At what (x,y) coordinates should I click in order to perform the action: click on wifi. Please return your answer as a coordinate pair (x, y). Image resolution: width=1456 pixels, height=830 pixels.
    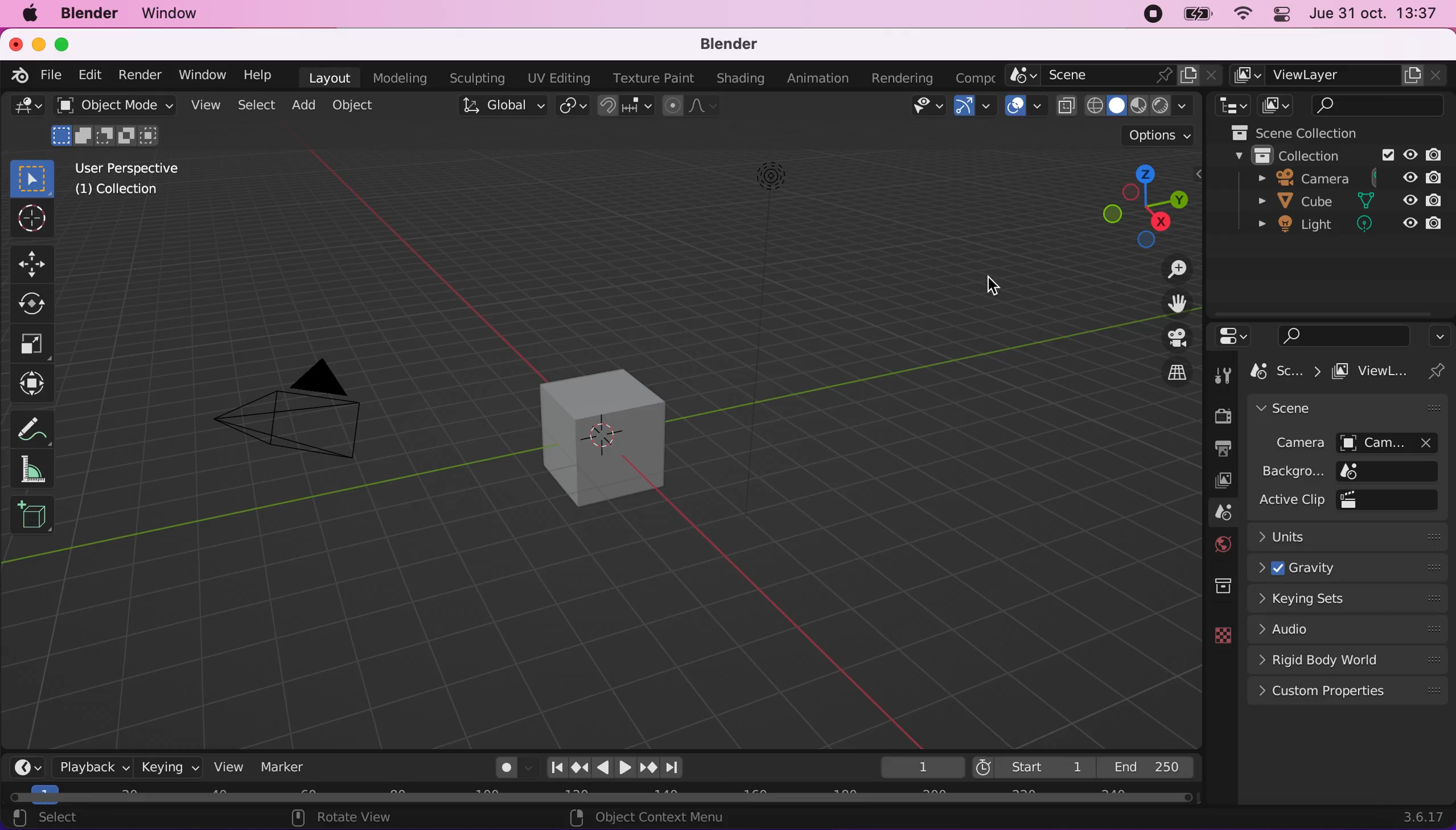
    Looking at the image, I should click on (1241, 14).